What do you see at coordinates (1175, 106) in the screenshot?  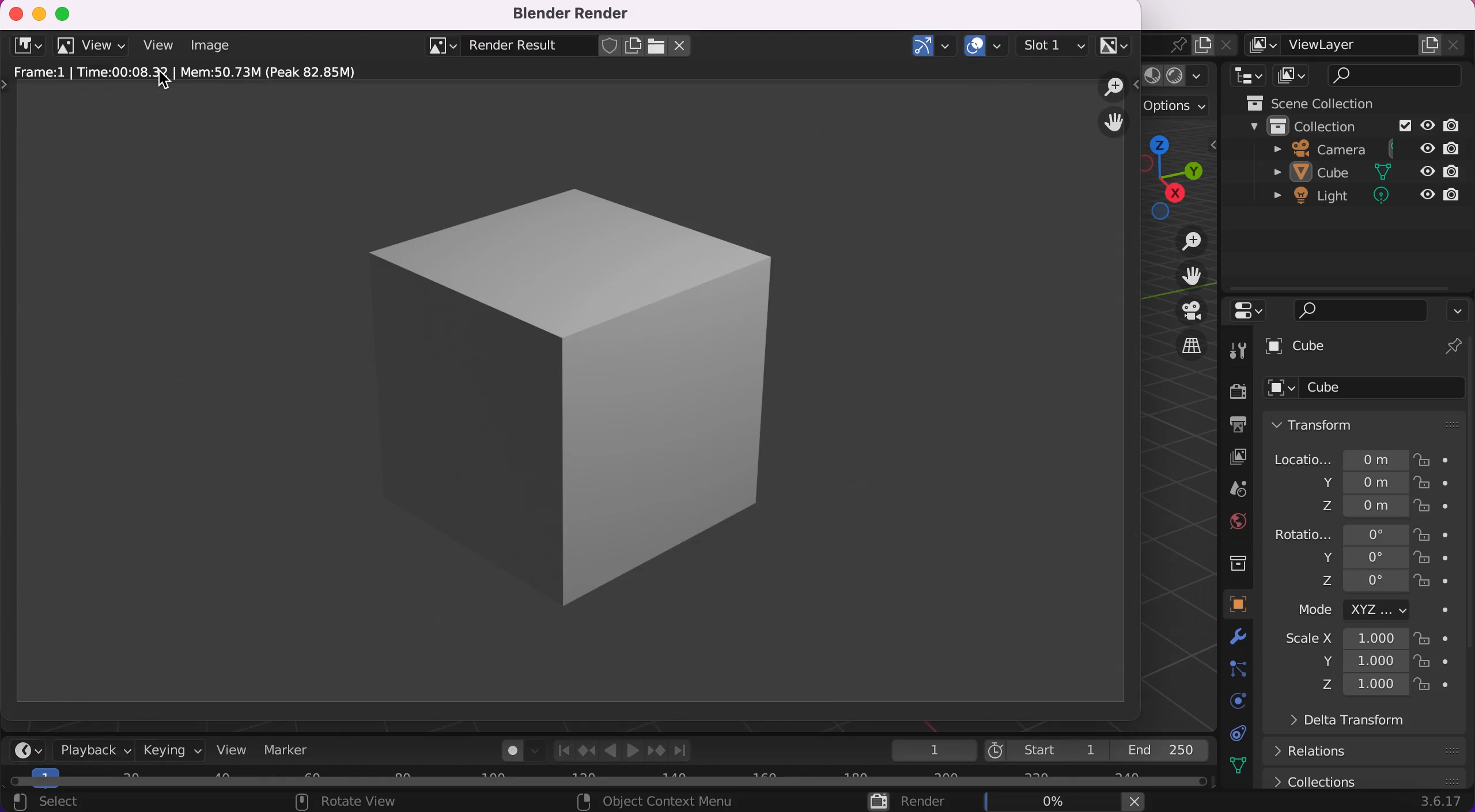 I see `options` at bounding box center [1175, 106].